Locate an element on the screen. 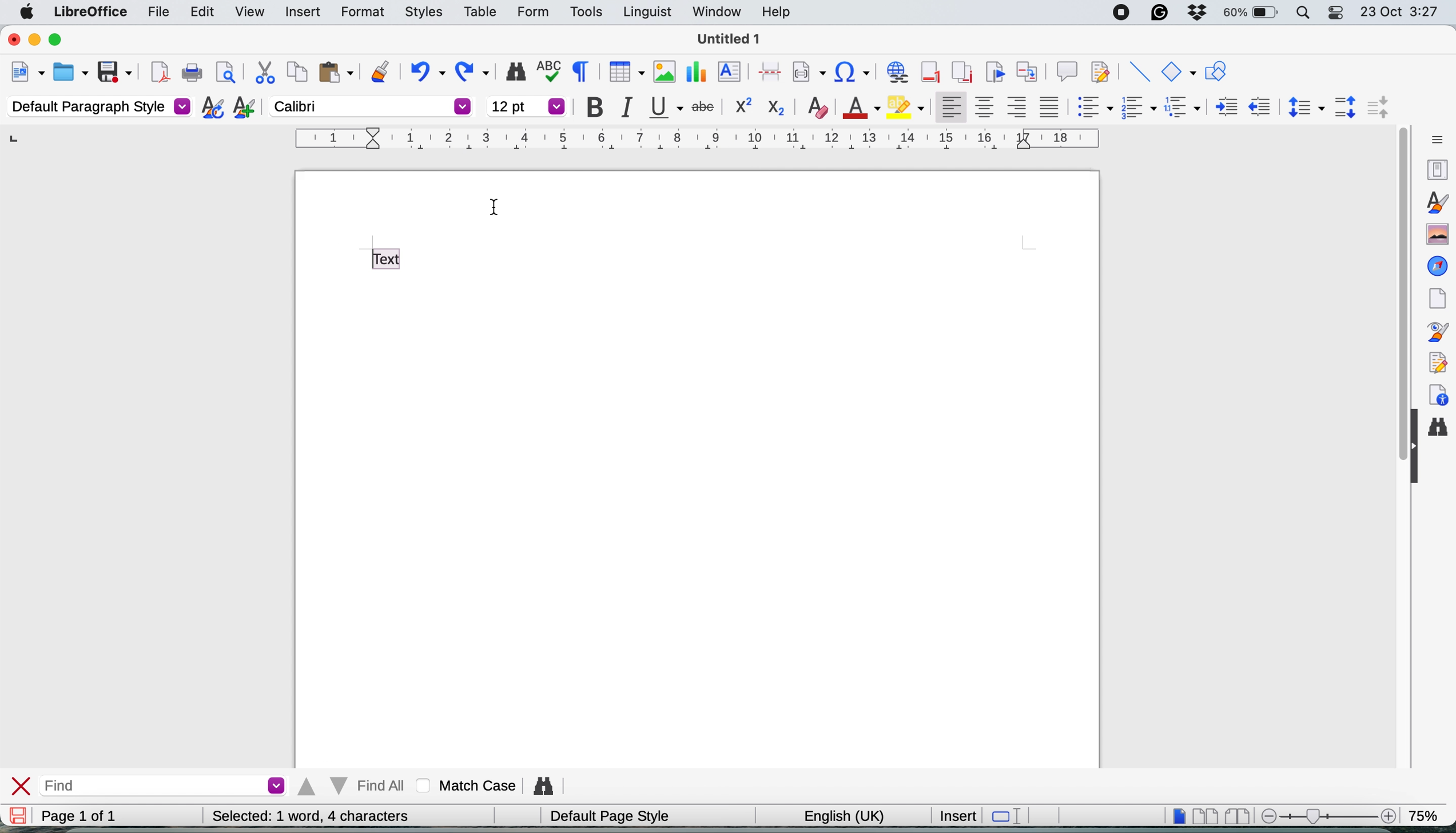 The width and height of the screenshot is (1456, 833). clear direct formatting is located at coordinates (818, 108).